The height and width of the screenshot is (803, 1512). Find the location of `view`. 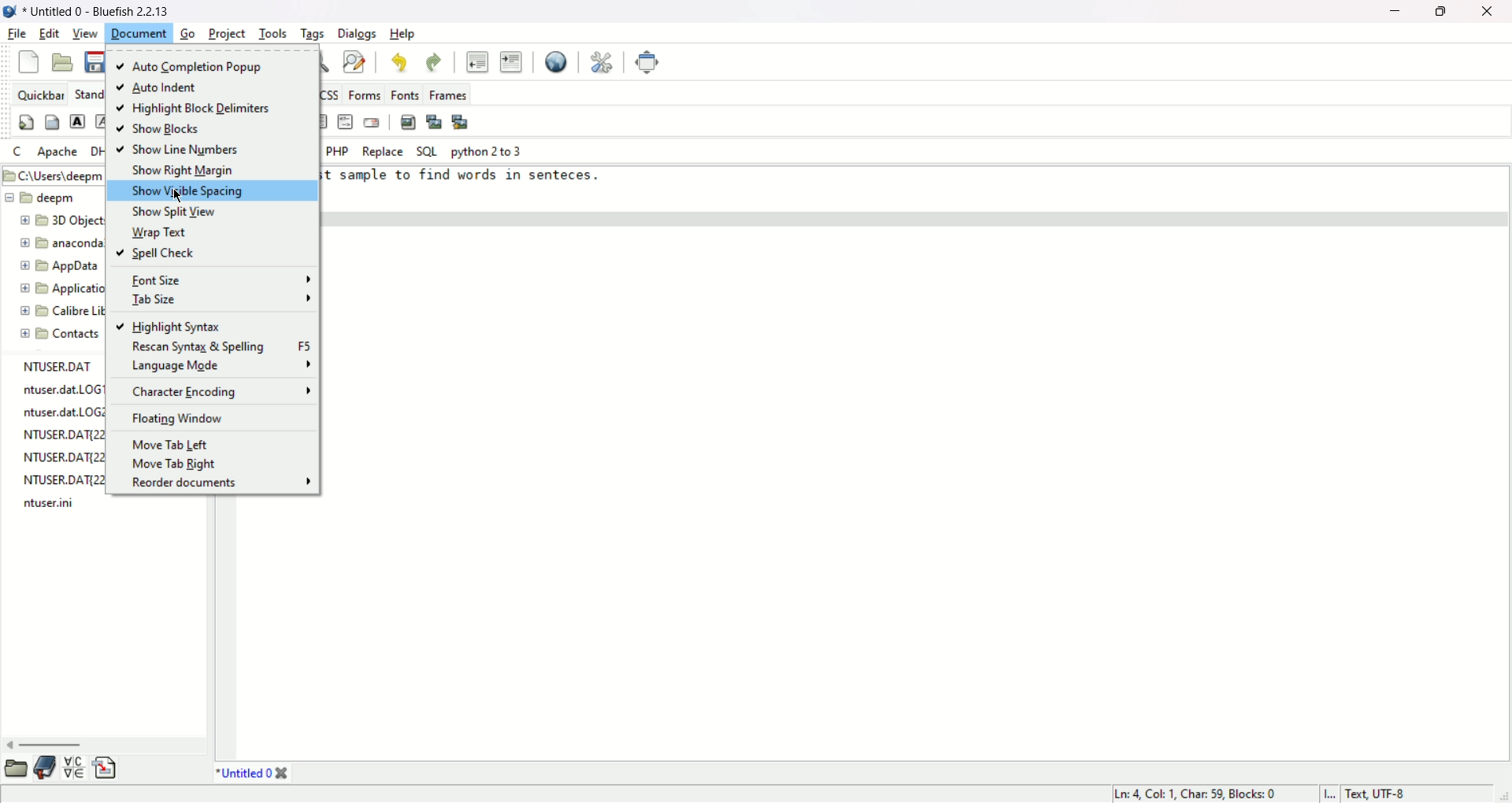

view is located at coordinates (85, 35).